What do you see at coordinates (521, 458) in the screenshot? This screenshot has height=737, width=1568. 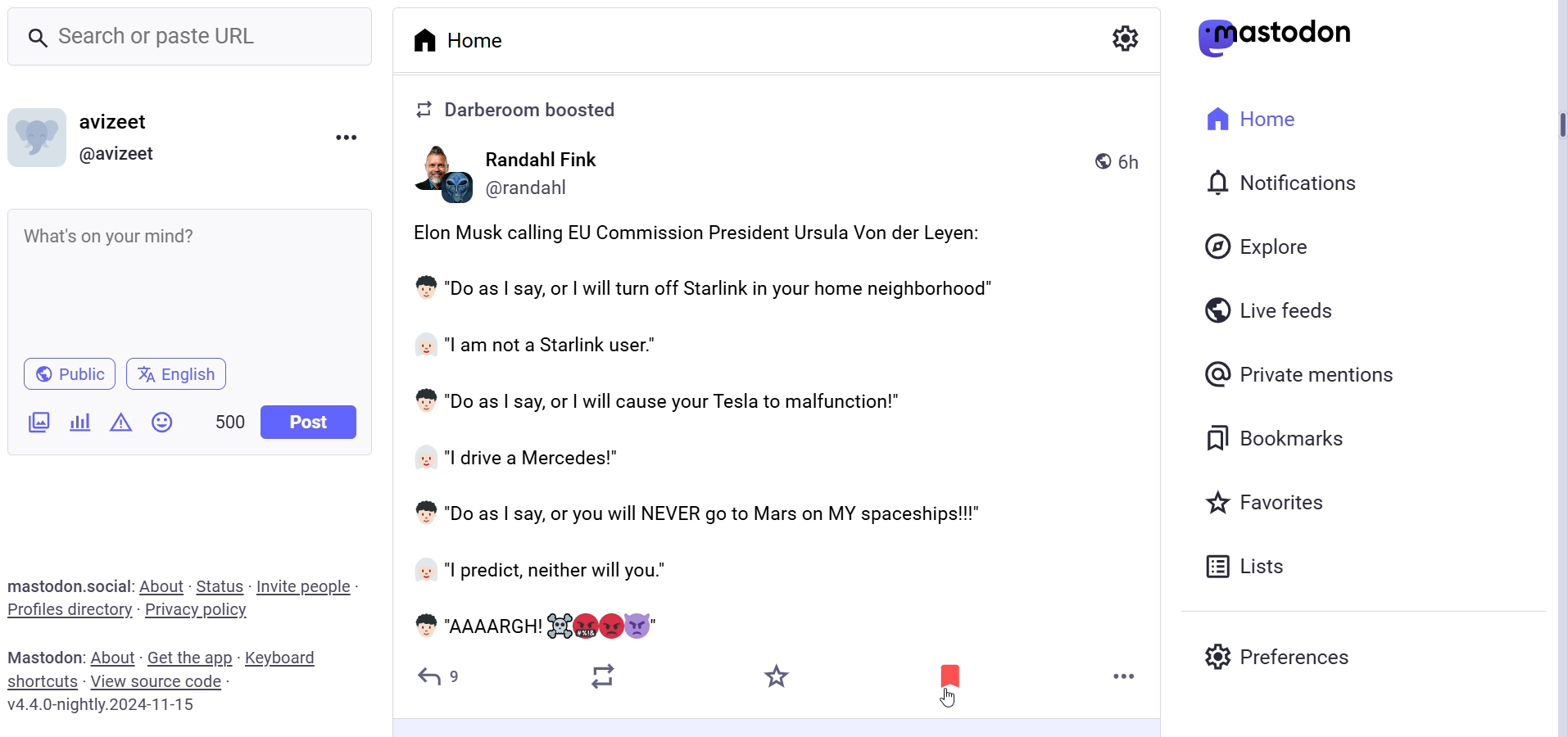 I see `“| drive a Mercedes!"` at bounding box center [521, 458].